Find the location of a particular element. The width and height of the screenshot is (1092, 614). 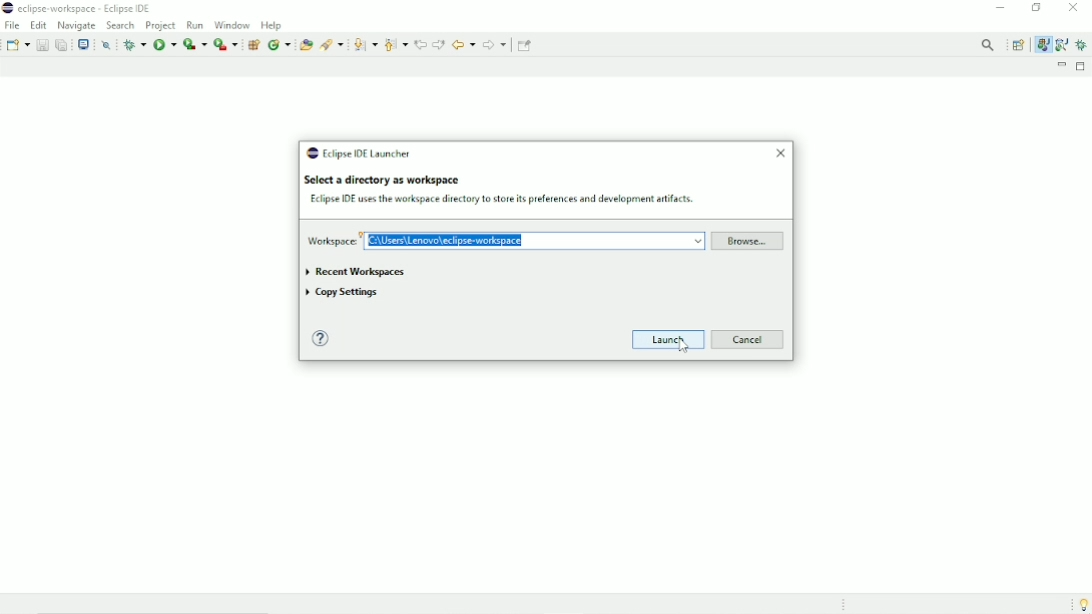

Logo is located at coordinates (7, 8).